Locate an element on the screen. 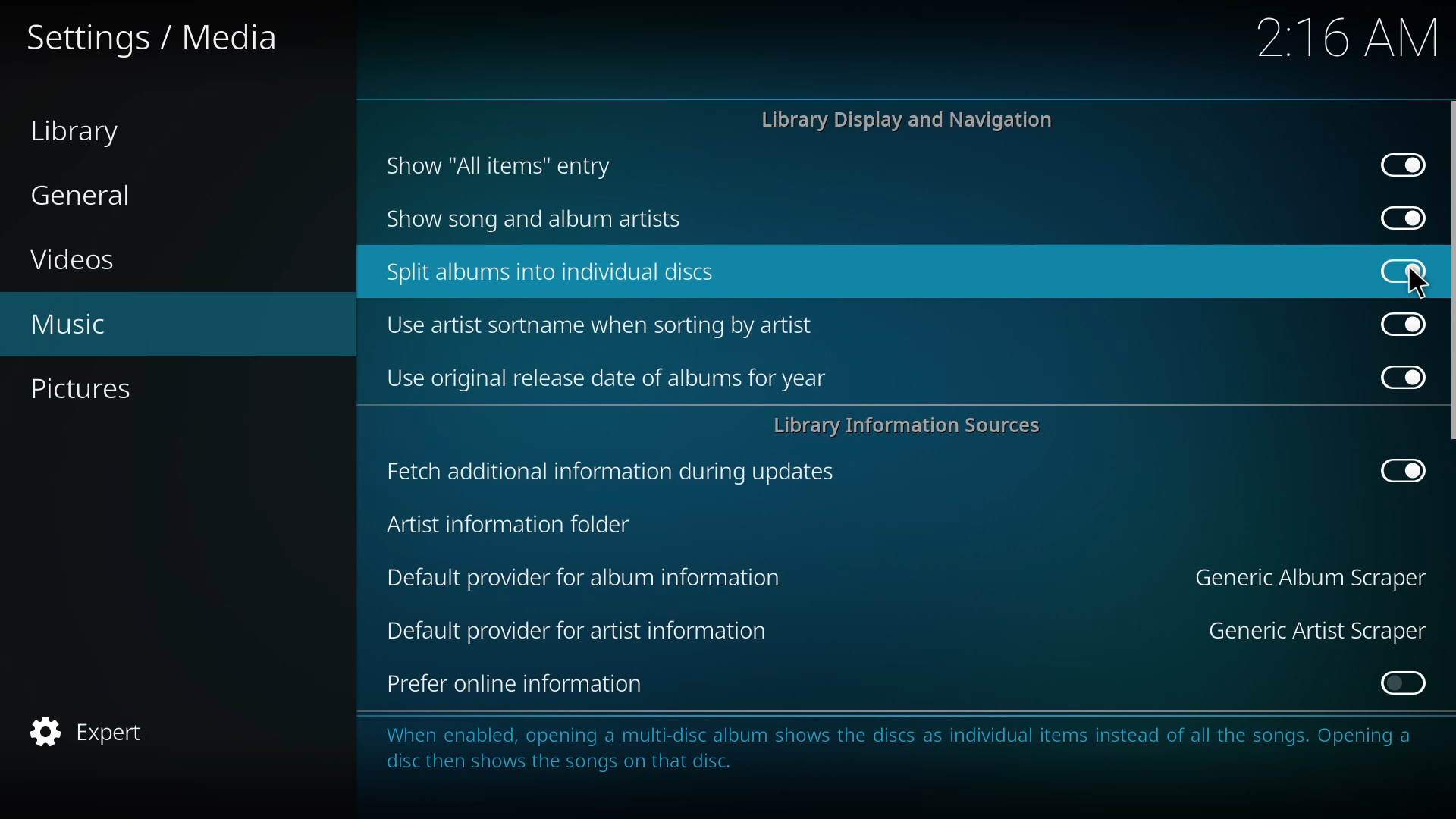 This screenshot has width=1456, height=819. settings media is located at coordinates (150, 36).